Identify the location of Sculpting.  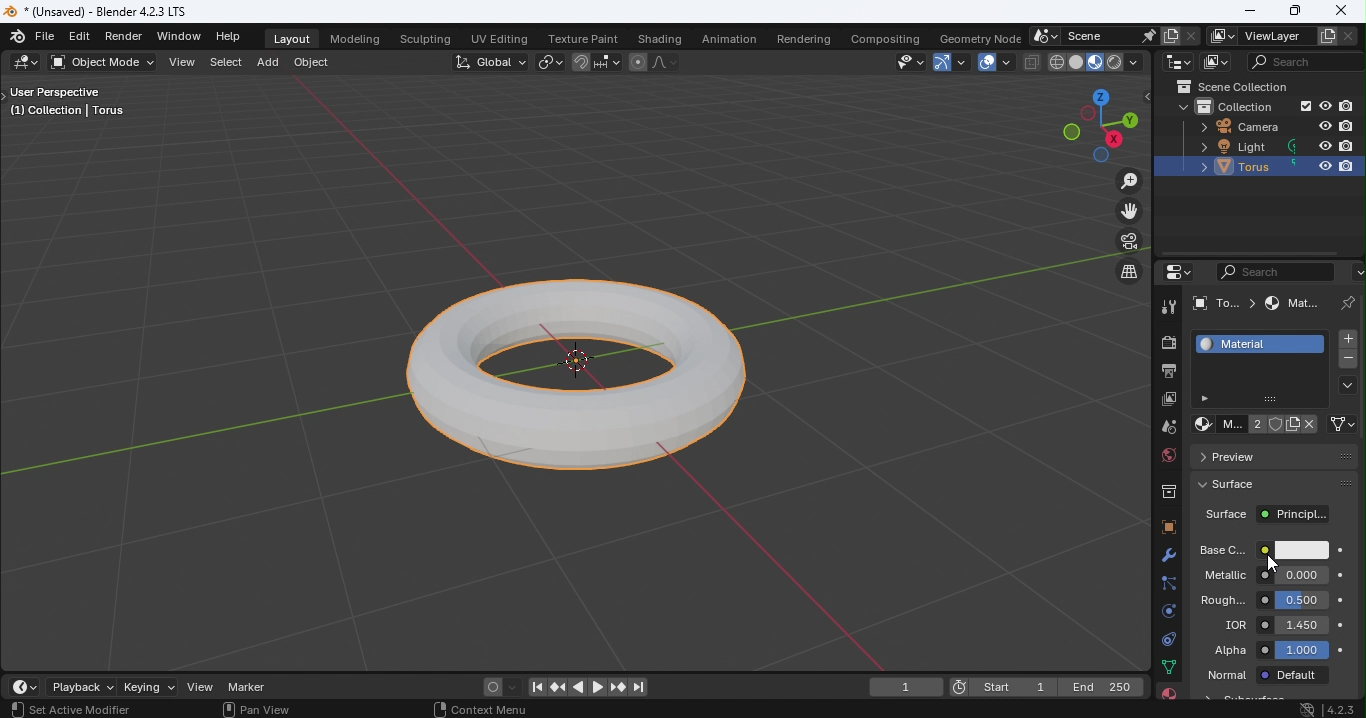
(424, 39).